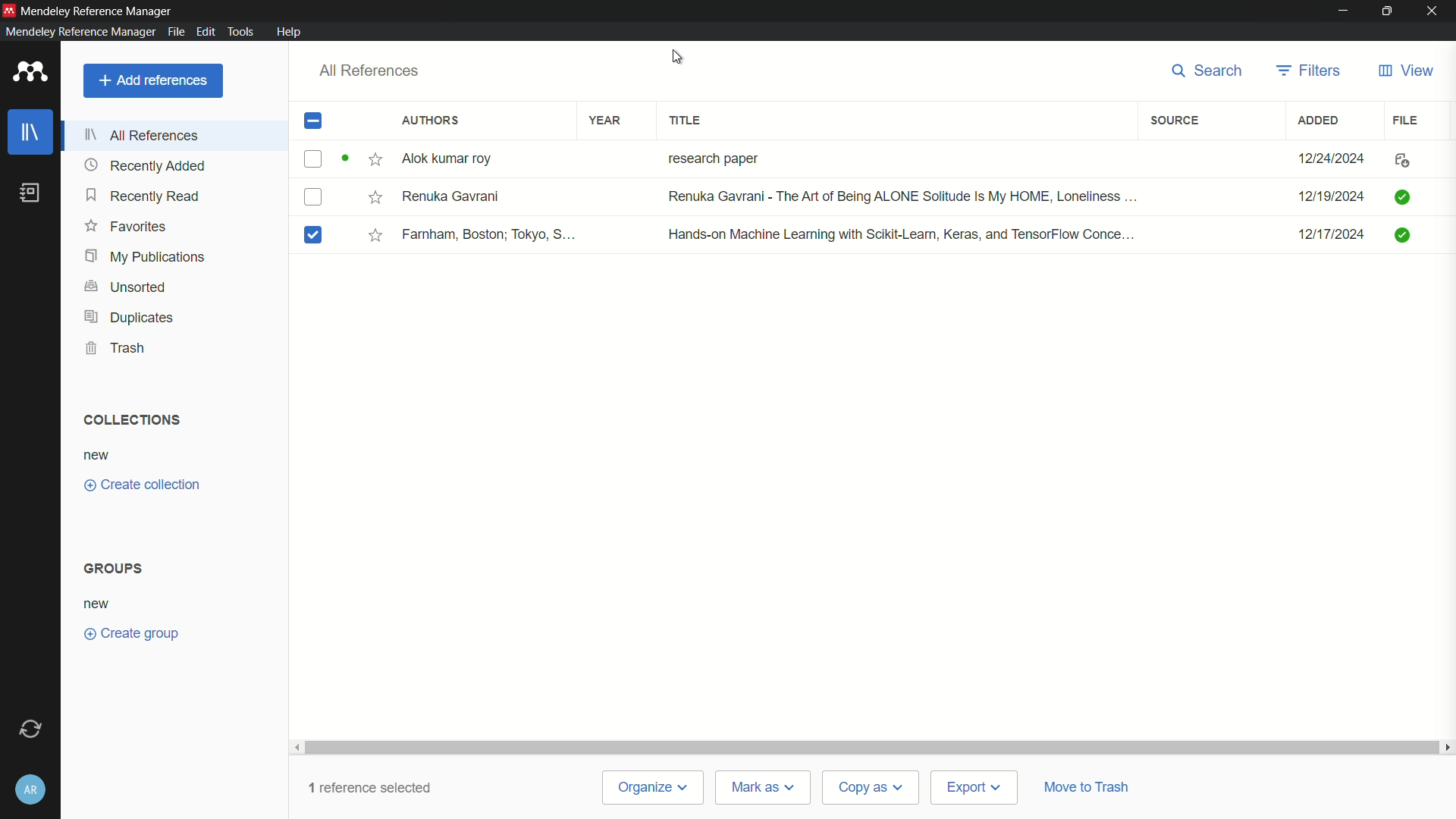  What do you see at coordinates (124, 287) in the screenshot?
I see `unsorted` at bounding box center [124, 287].